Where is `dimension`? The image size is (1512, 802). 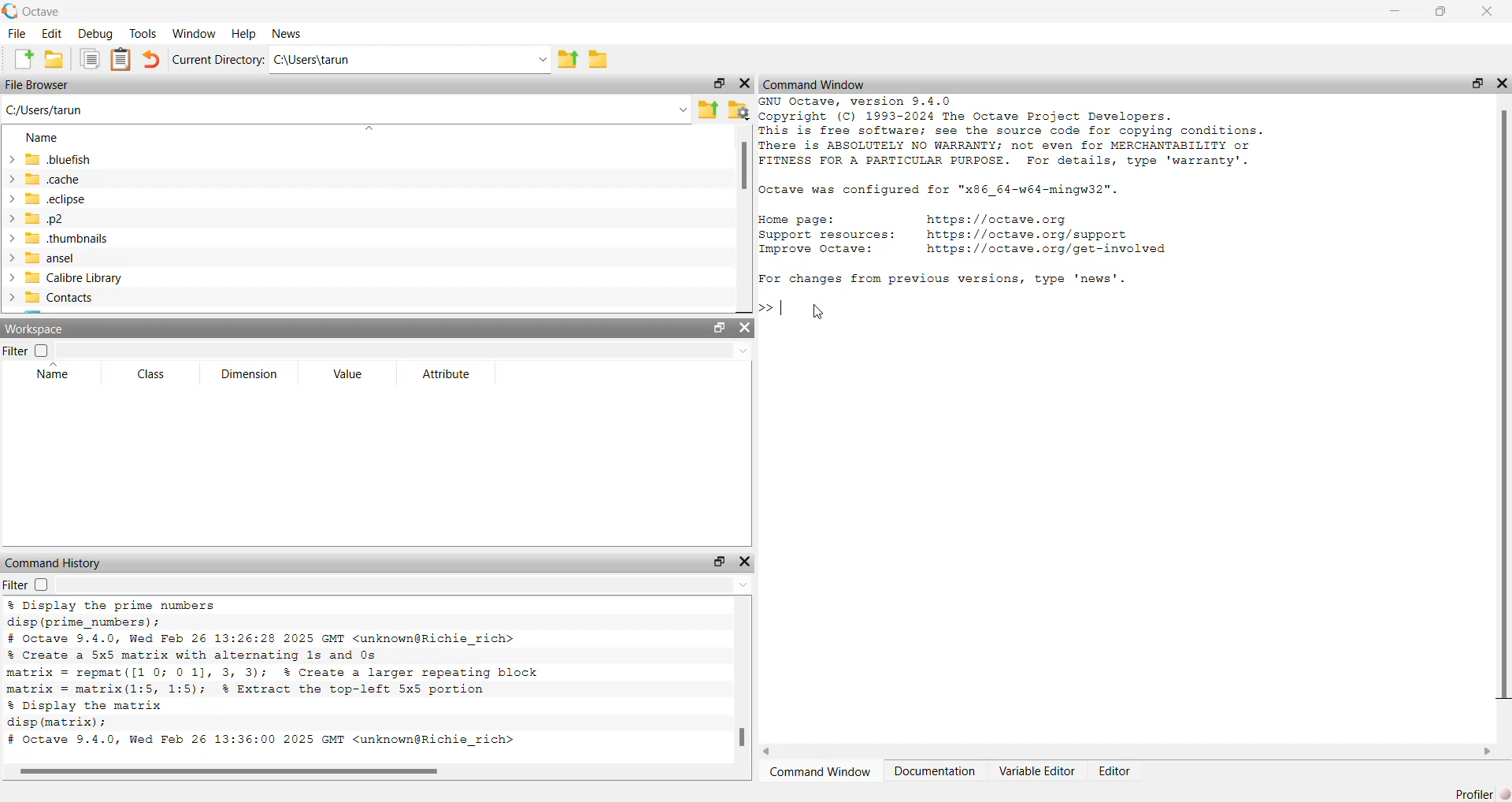 dimension is located at coordinates (253, 374).